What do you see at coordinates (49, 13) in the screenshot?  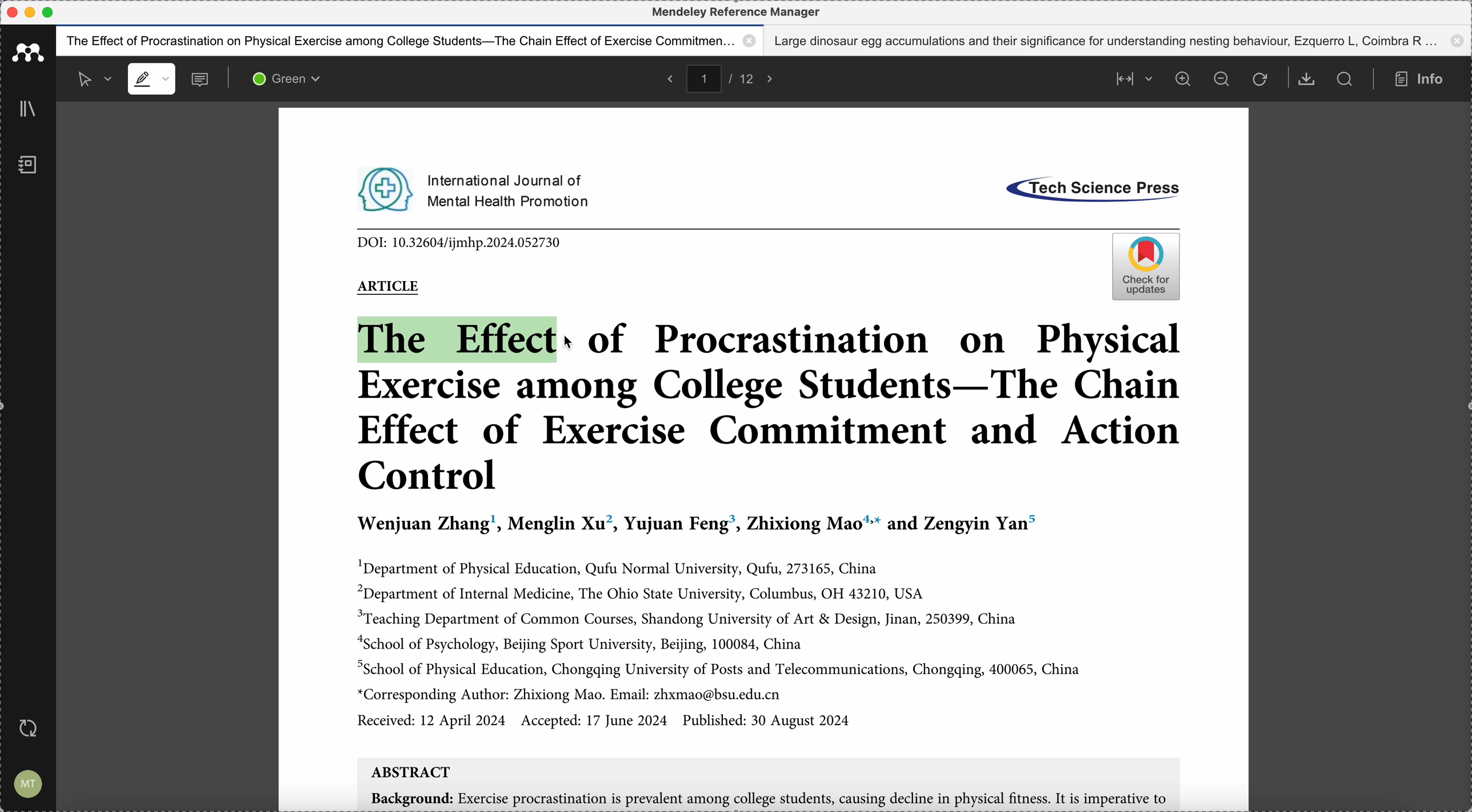 I see `maximize` at bounding box center [49, 13].